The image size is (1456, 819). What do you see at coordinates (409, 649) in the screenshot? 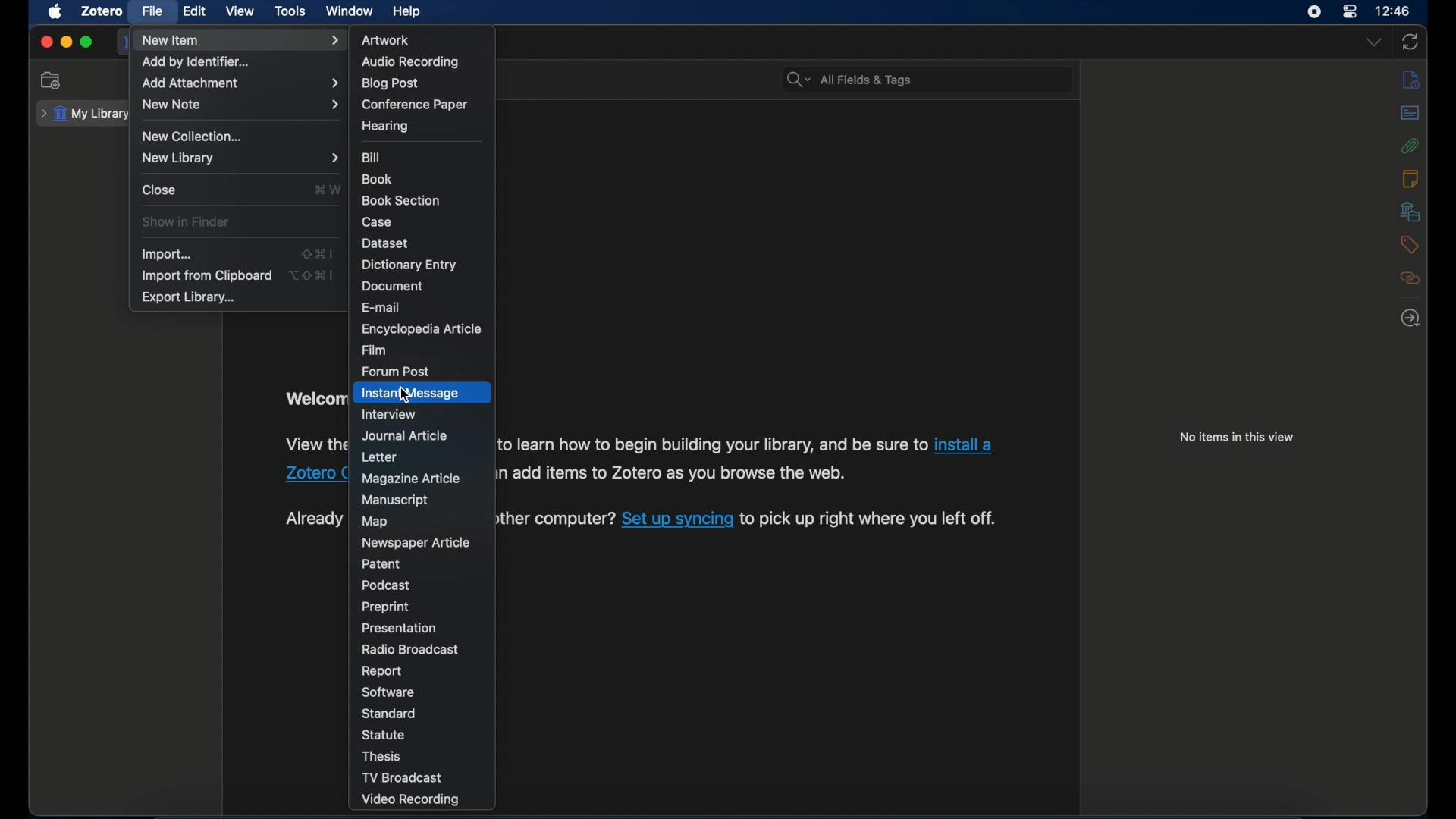
I see `radio broadcast` at bounding box center [409, 649].